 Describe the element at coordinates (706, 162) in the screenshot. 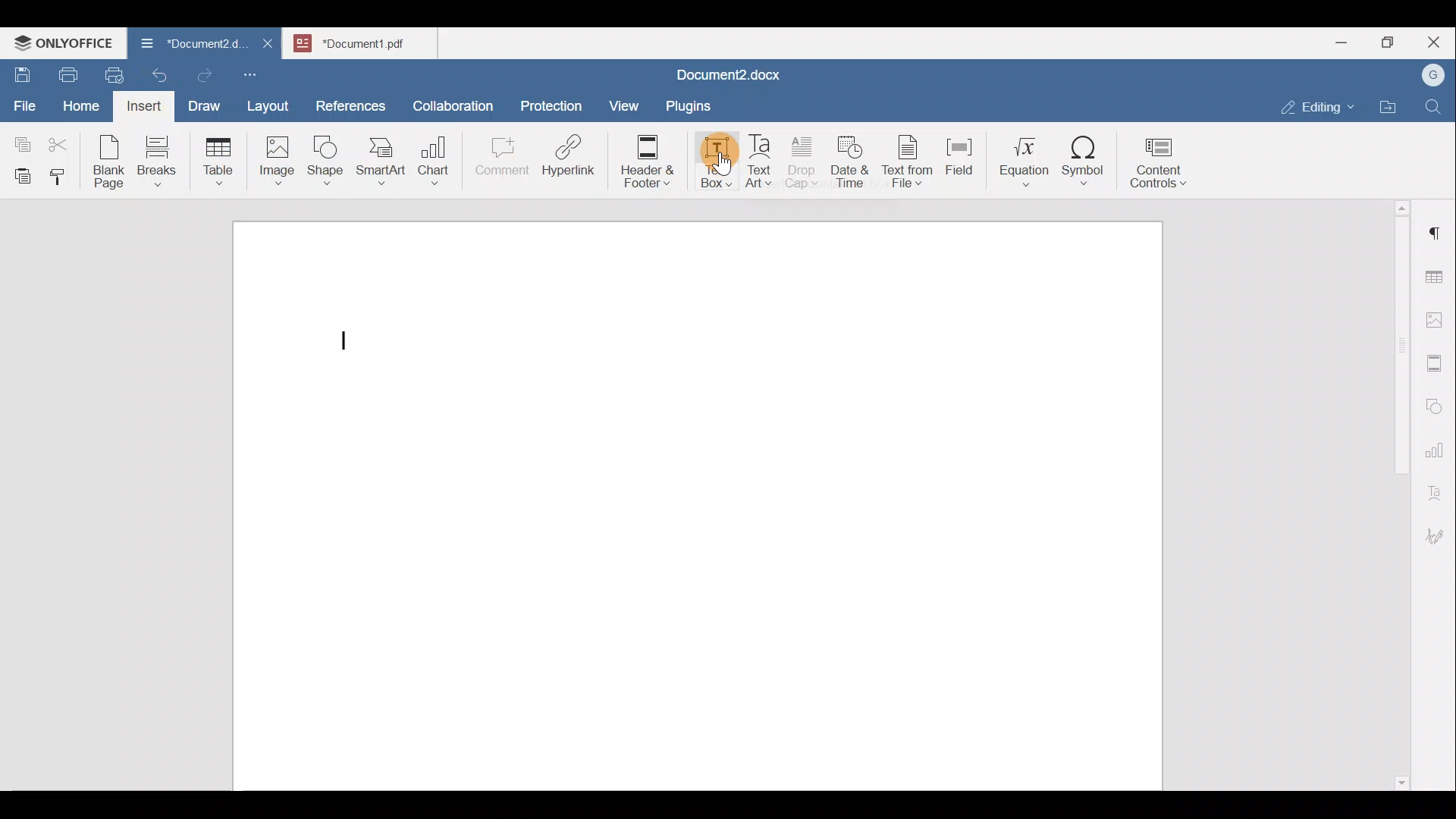

I see `Text box` at that location.